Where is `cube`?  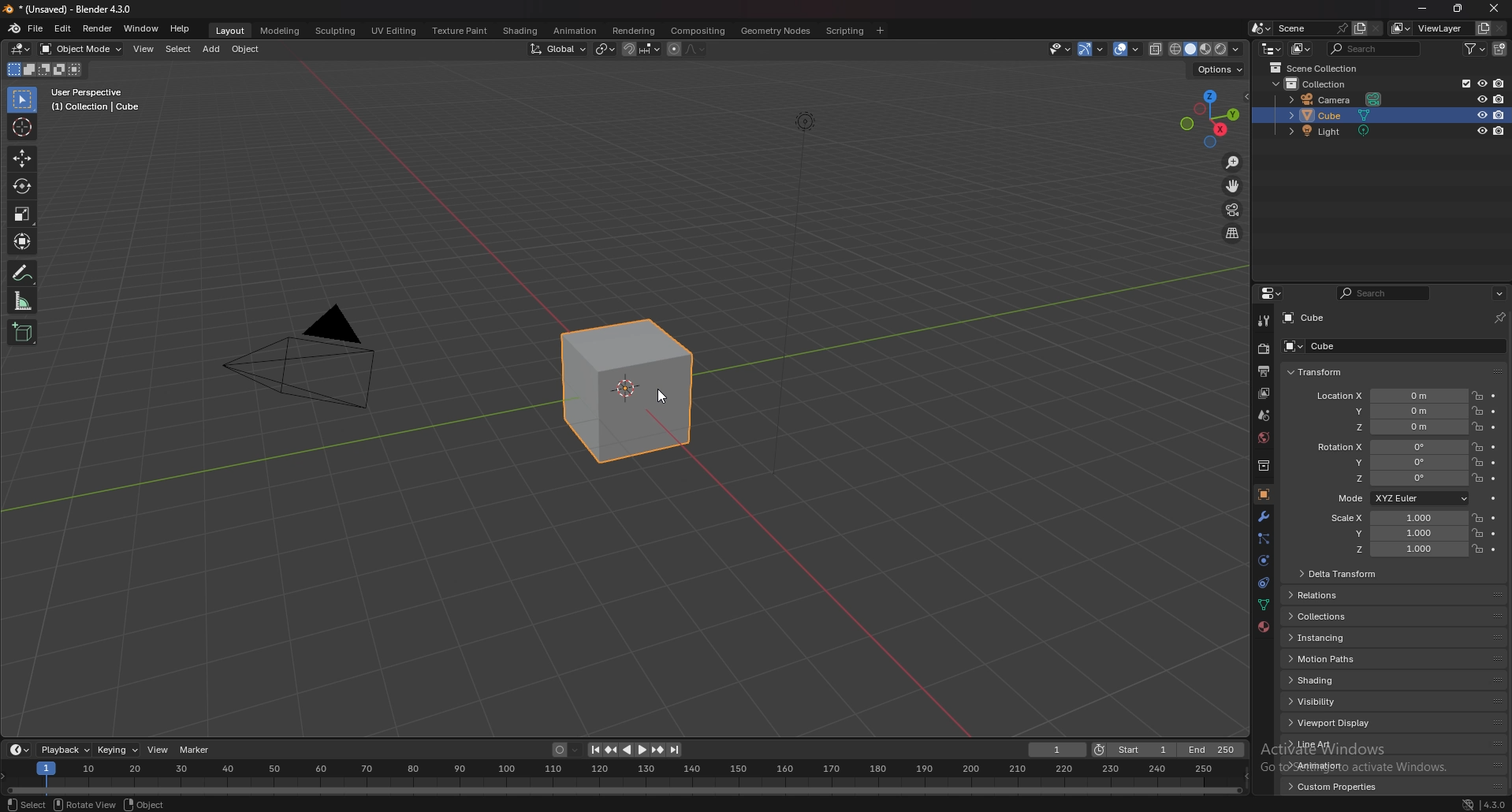
cube is located at coordinates (1337, 116).